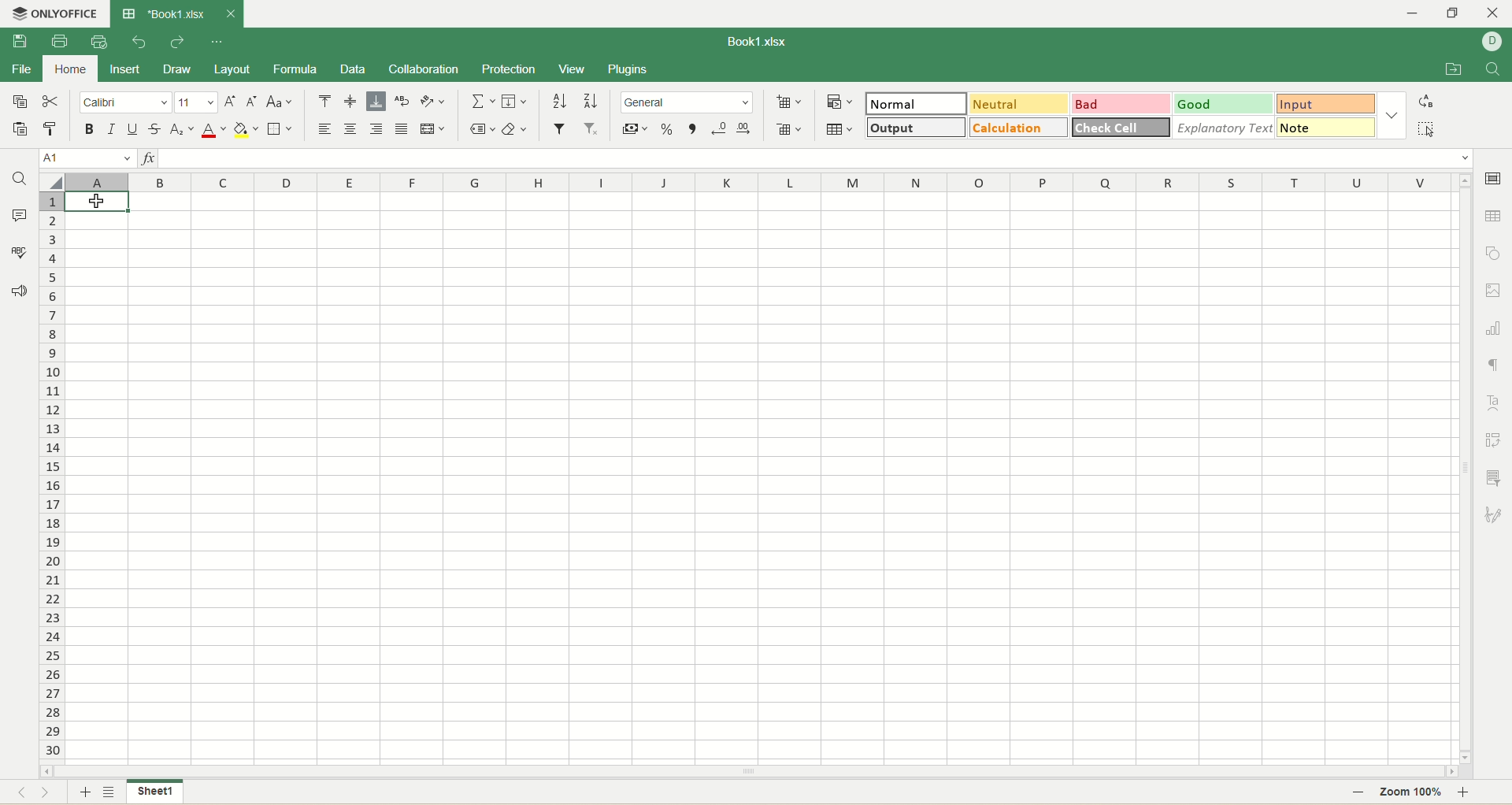 This screenshot has height=805, width=1512. Describe the element at coordinates (1412, 793) in the screenshot. I see `zoom percent` at that location.